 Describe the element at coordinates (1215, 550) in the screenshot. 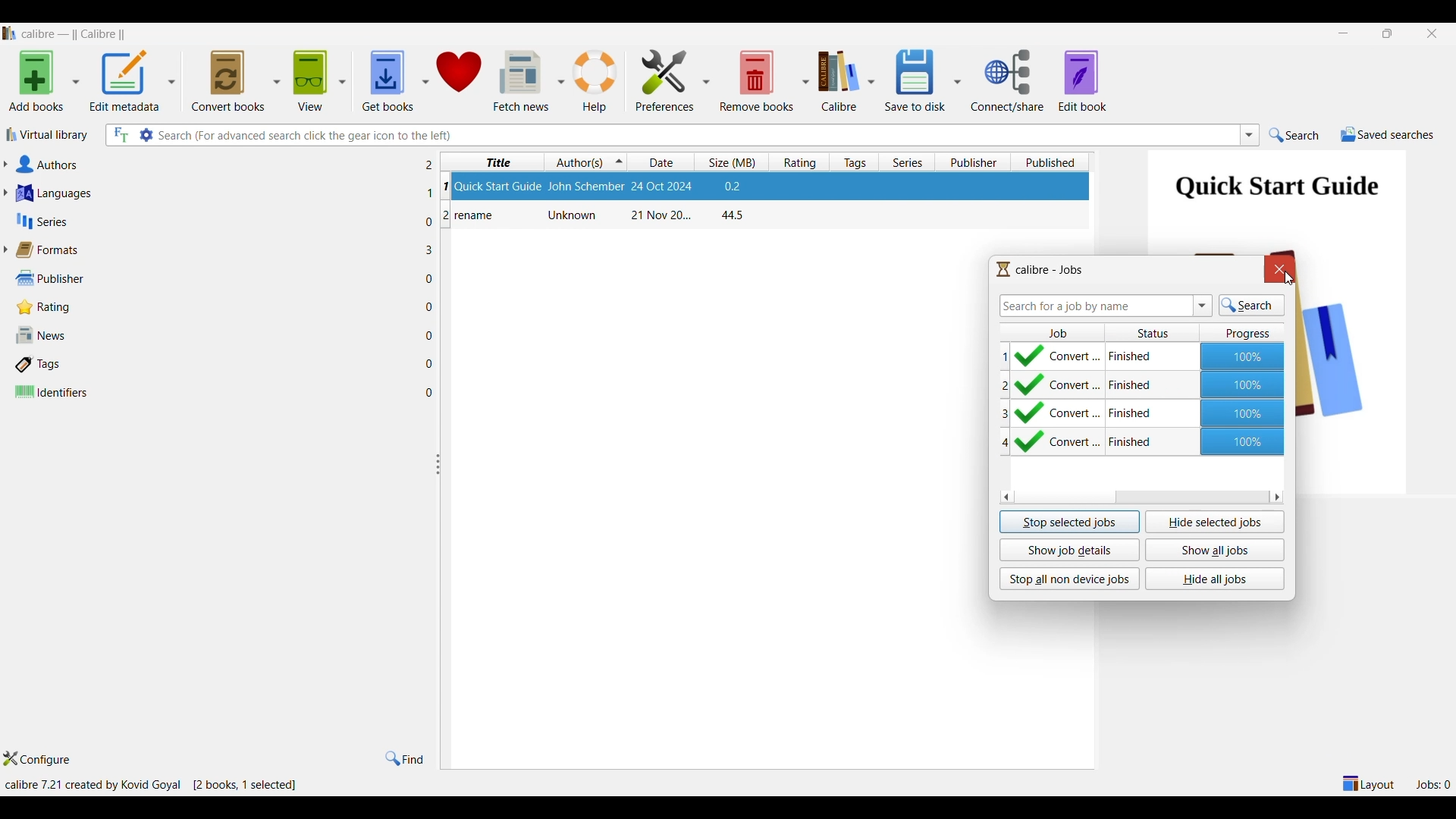

I see `Show all jobs` at that location.